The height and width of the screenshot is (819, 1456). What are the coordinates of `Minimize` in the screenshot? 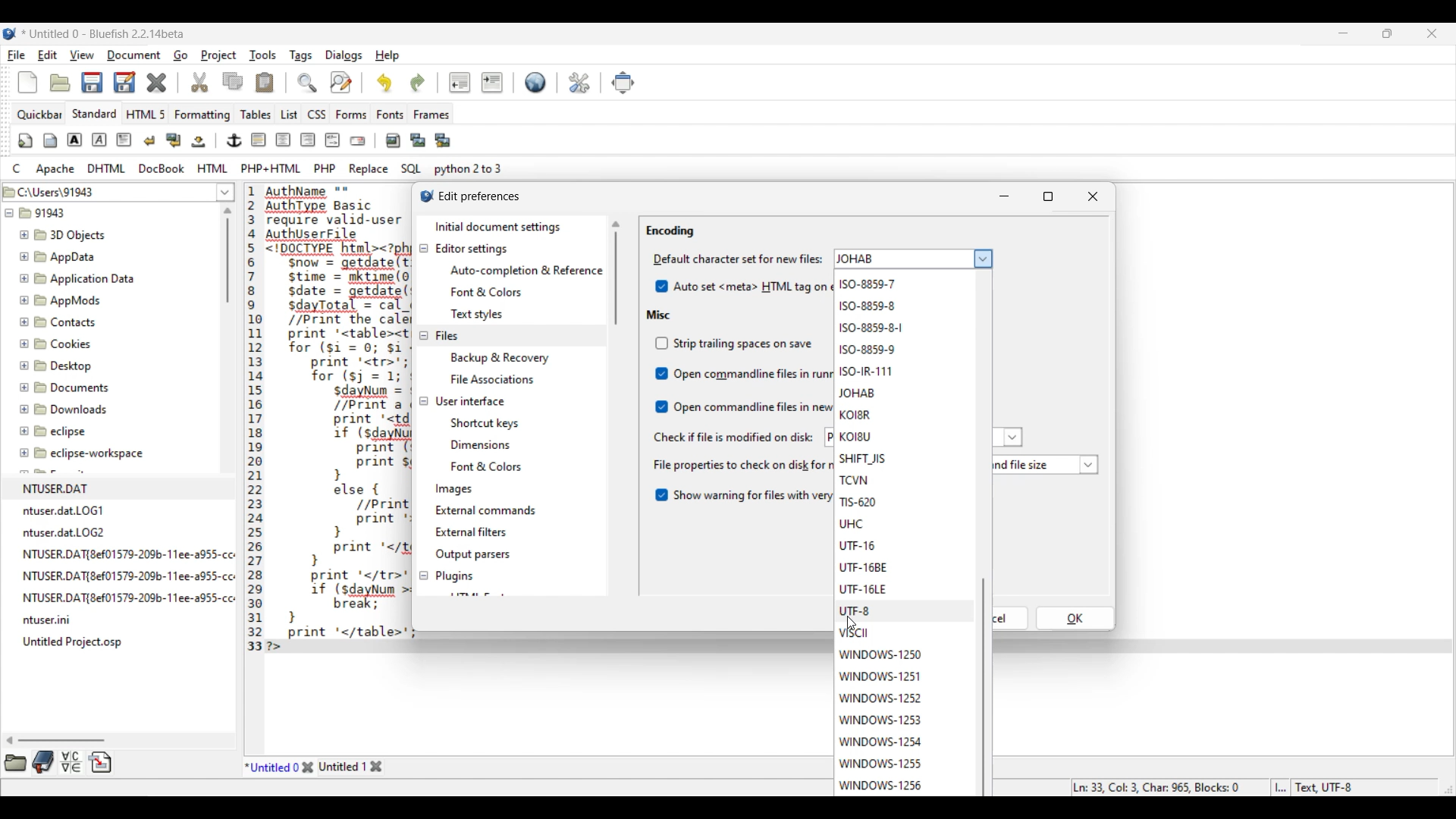 It's located at (1344, 33).